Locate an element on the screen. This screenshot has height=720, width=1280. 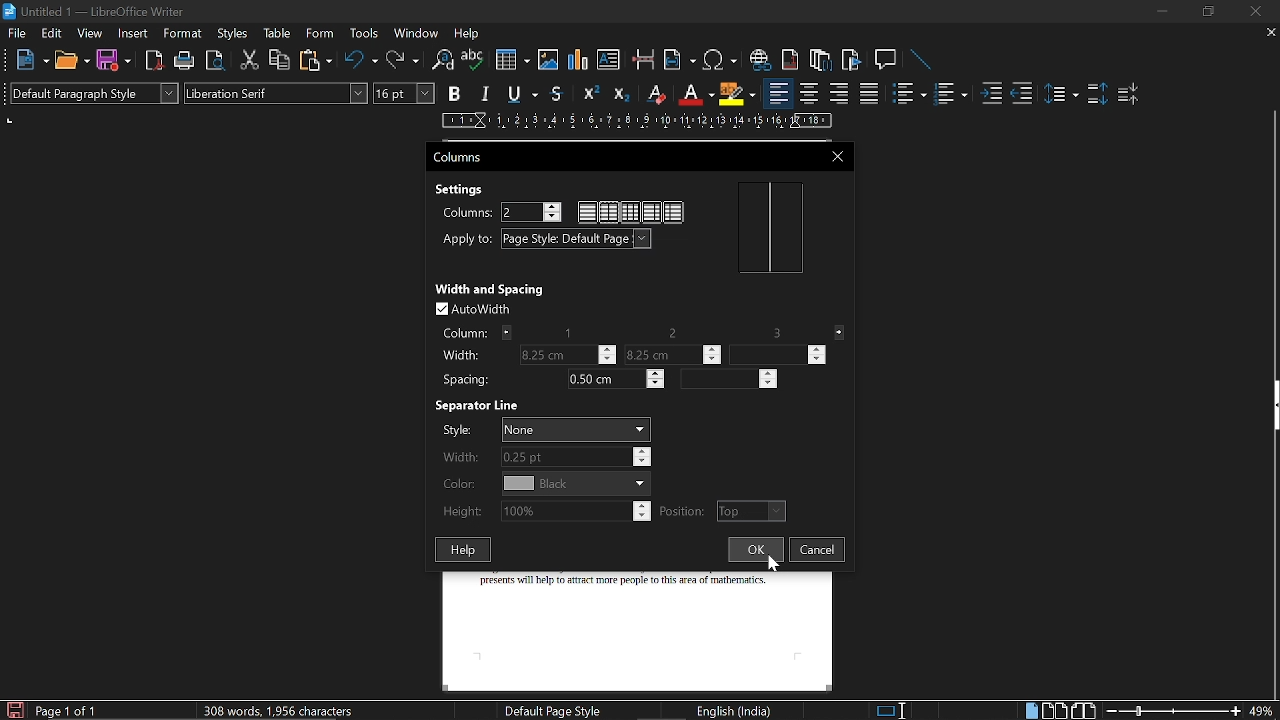
Styles is located at coordinates (234, 34).